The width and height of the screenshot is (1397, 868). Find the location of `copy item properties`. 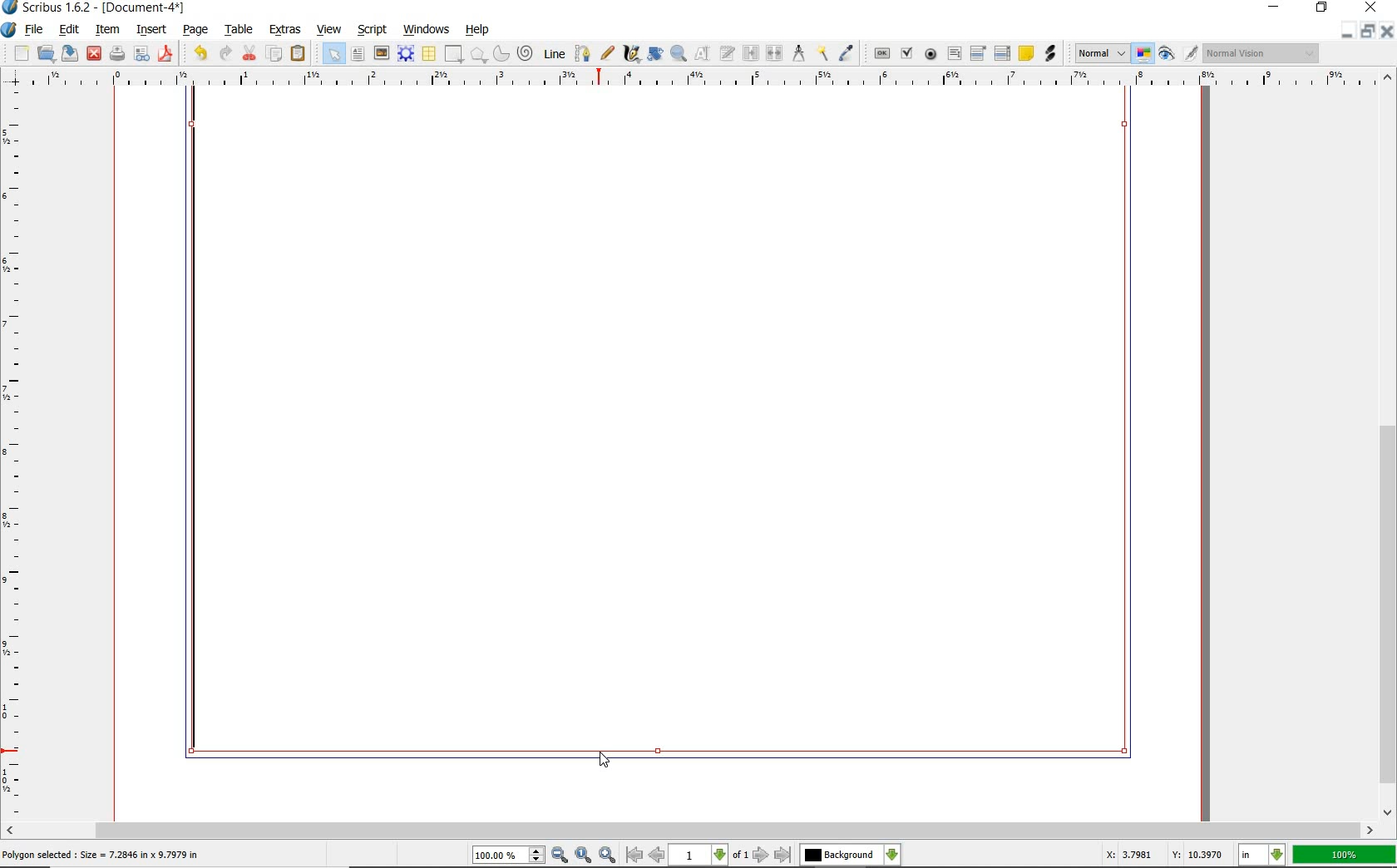

copy item properties is located at coordinates (822, 53).